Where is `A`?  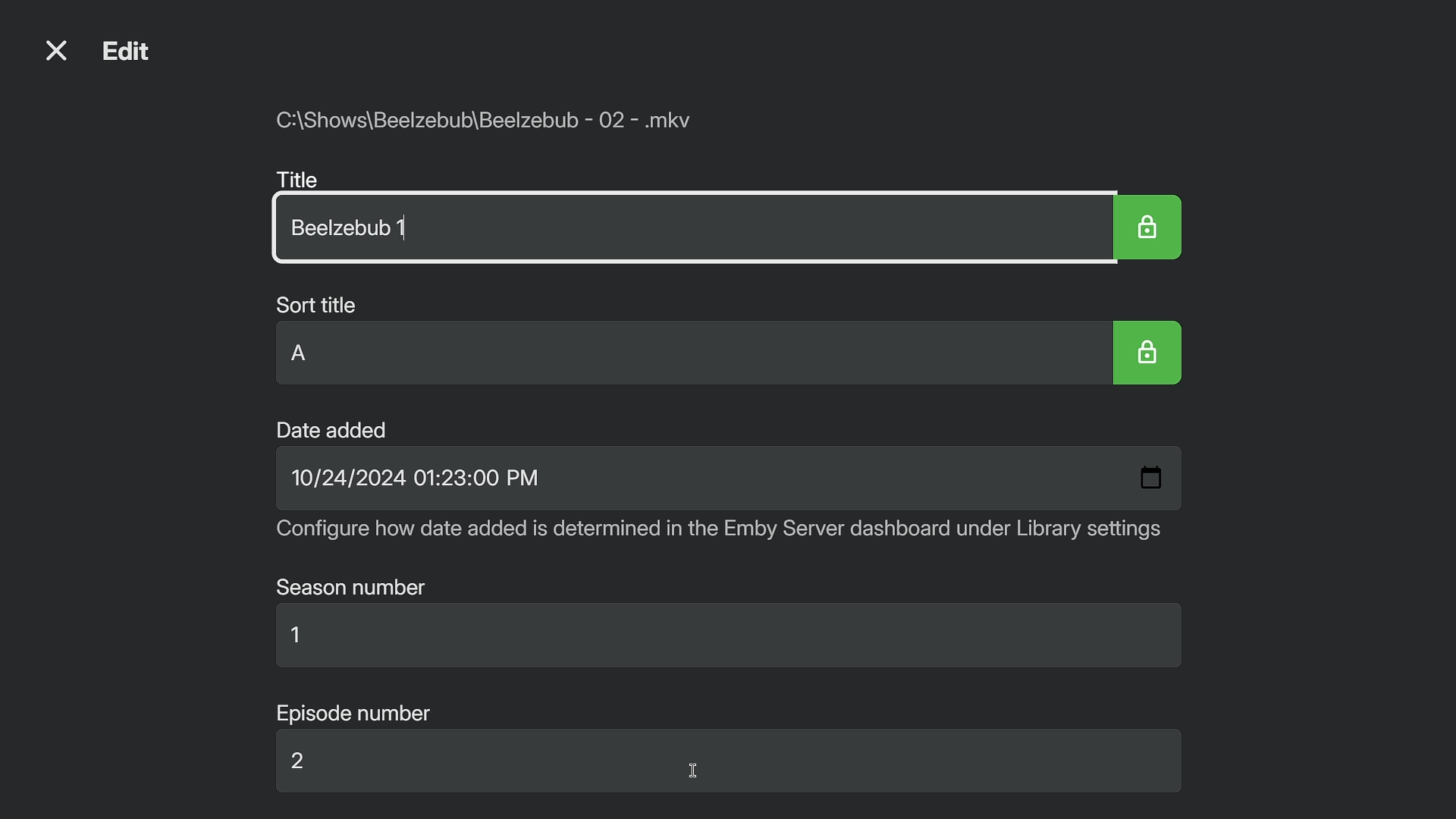 A is located at coordinates (309, 356).